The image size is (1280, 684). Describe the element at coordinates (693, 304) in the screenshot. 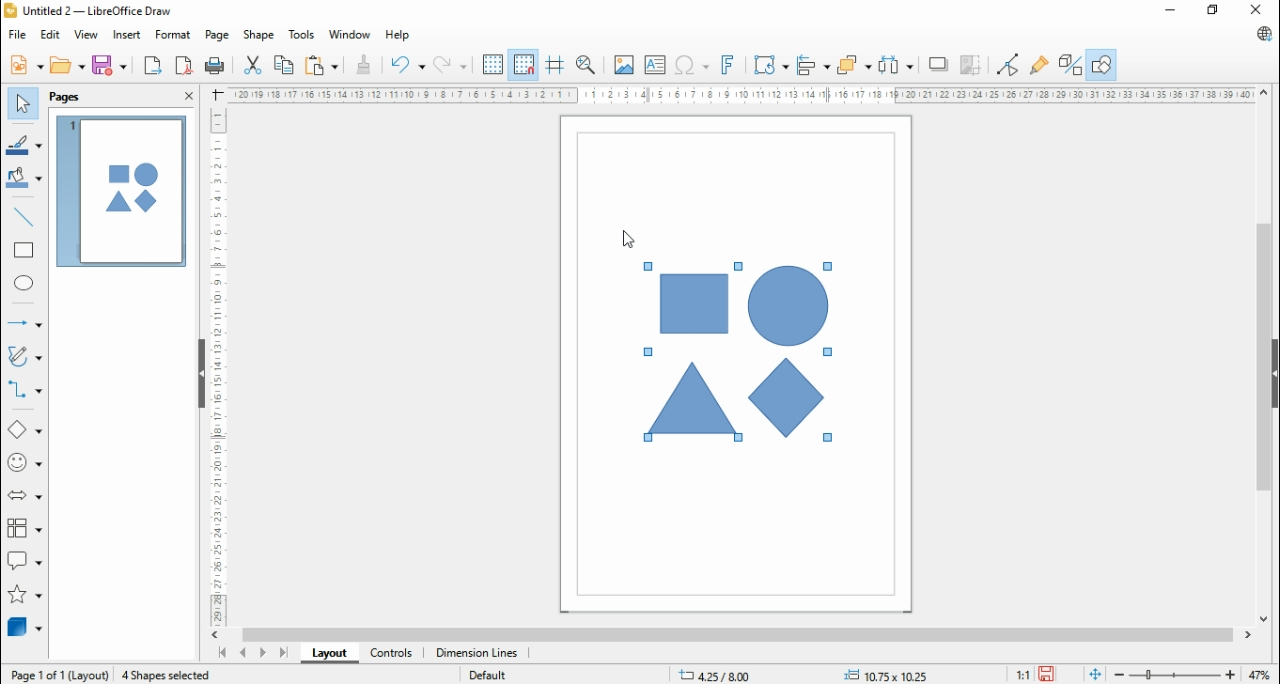

I see `shape 1` at that location.